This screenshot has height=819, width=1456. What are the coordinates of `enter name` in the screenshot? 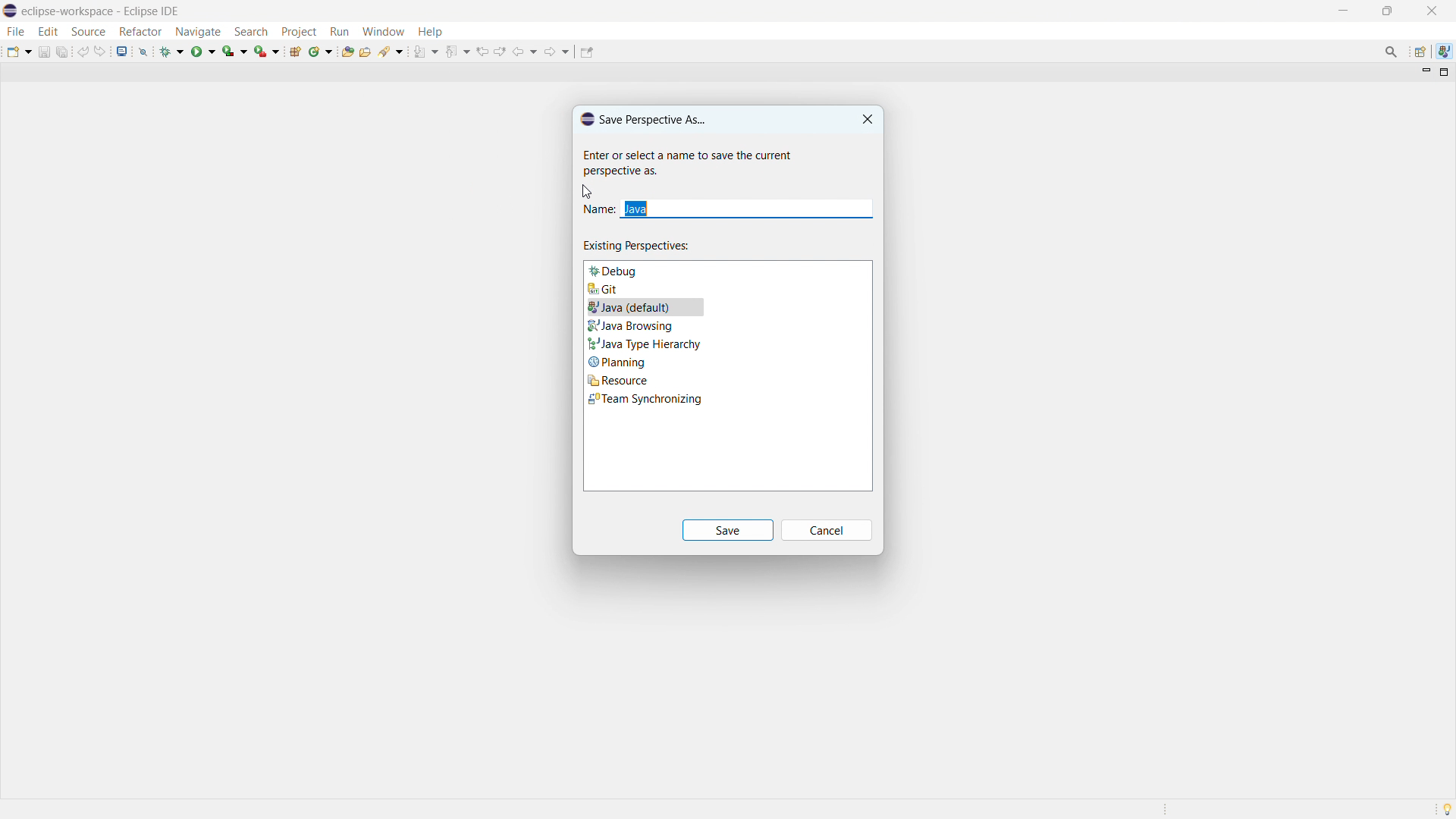 It's located at (746, 209).